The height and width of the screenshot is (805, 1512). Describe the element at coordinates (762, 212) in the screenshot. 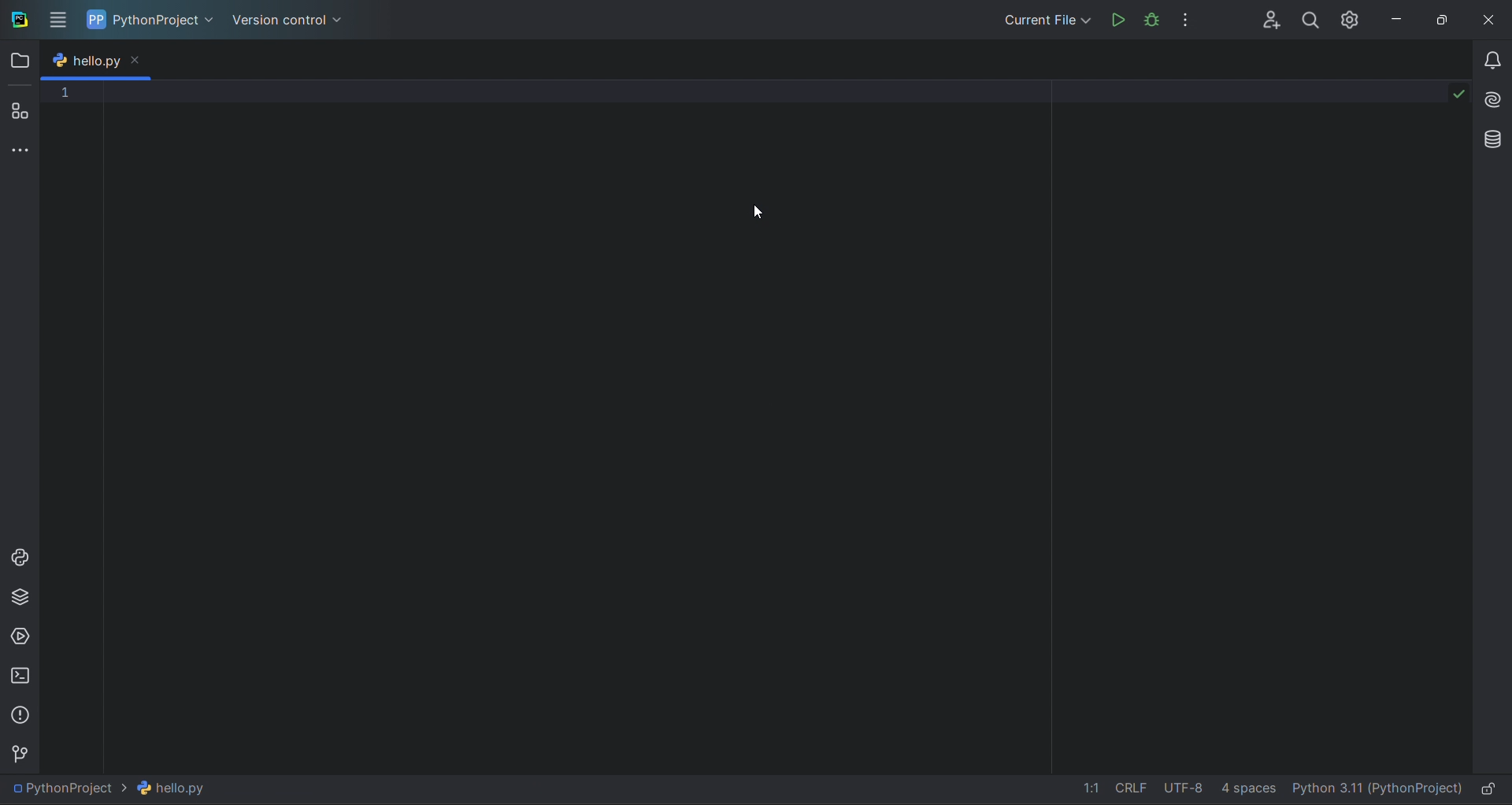

I see `cursor` at that location.